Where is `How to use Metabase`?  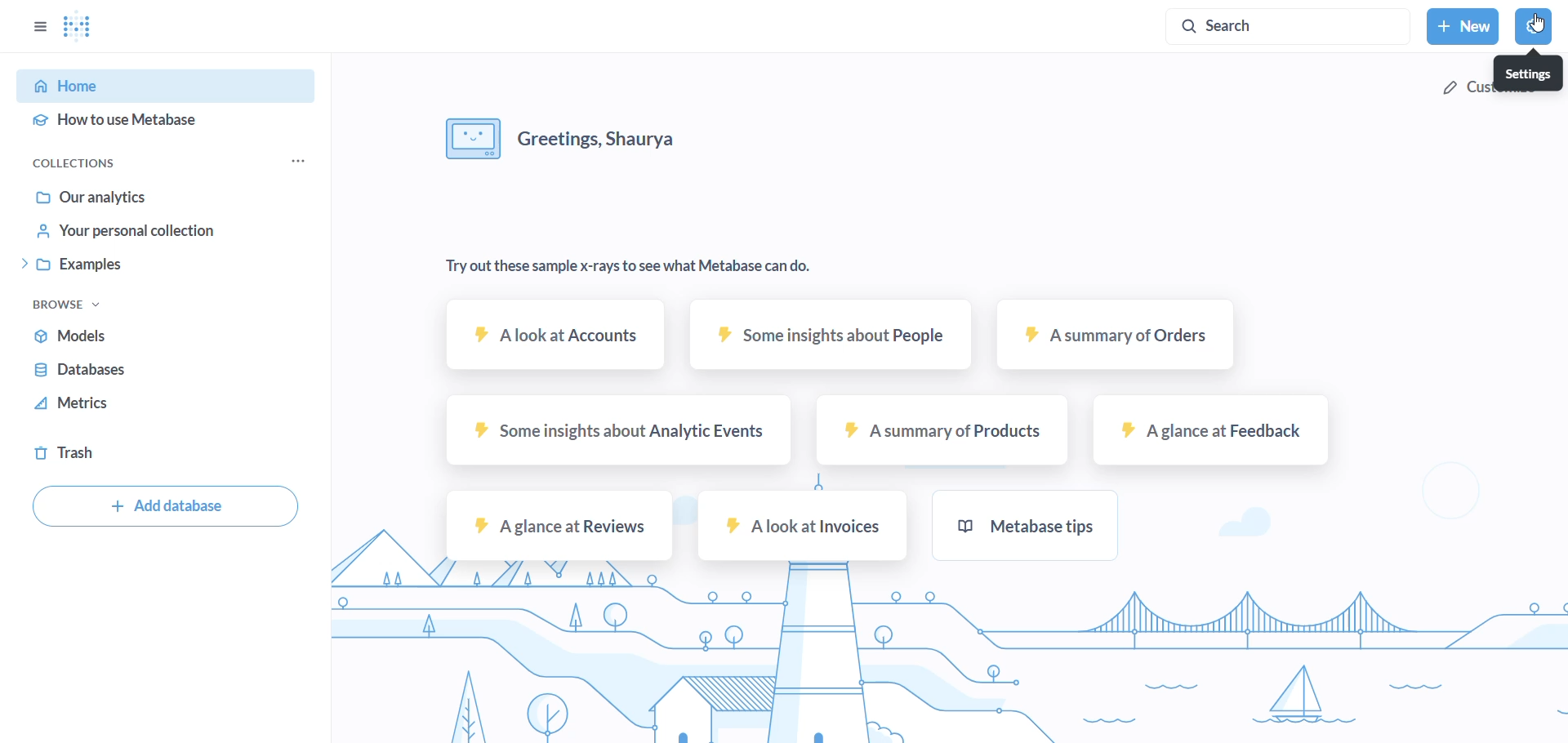
How to use Metabase is located at coordinates (151, 123).